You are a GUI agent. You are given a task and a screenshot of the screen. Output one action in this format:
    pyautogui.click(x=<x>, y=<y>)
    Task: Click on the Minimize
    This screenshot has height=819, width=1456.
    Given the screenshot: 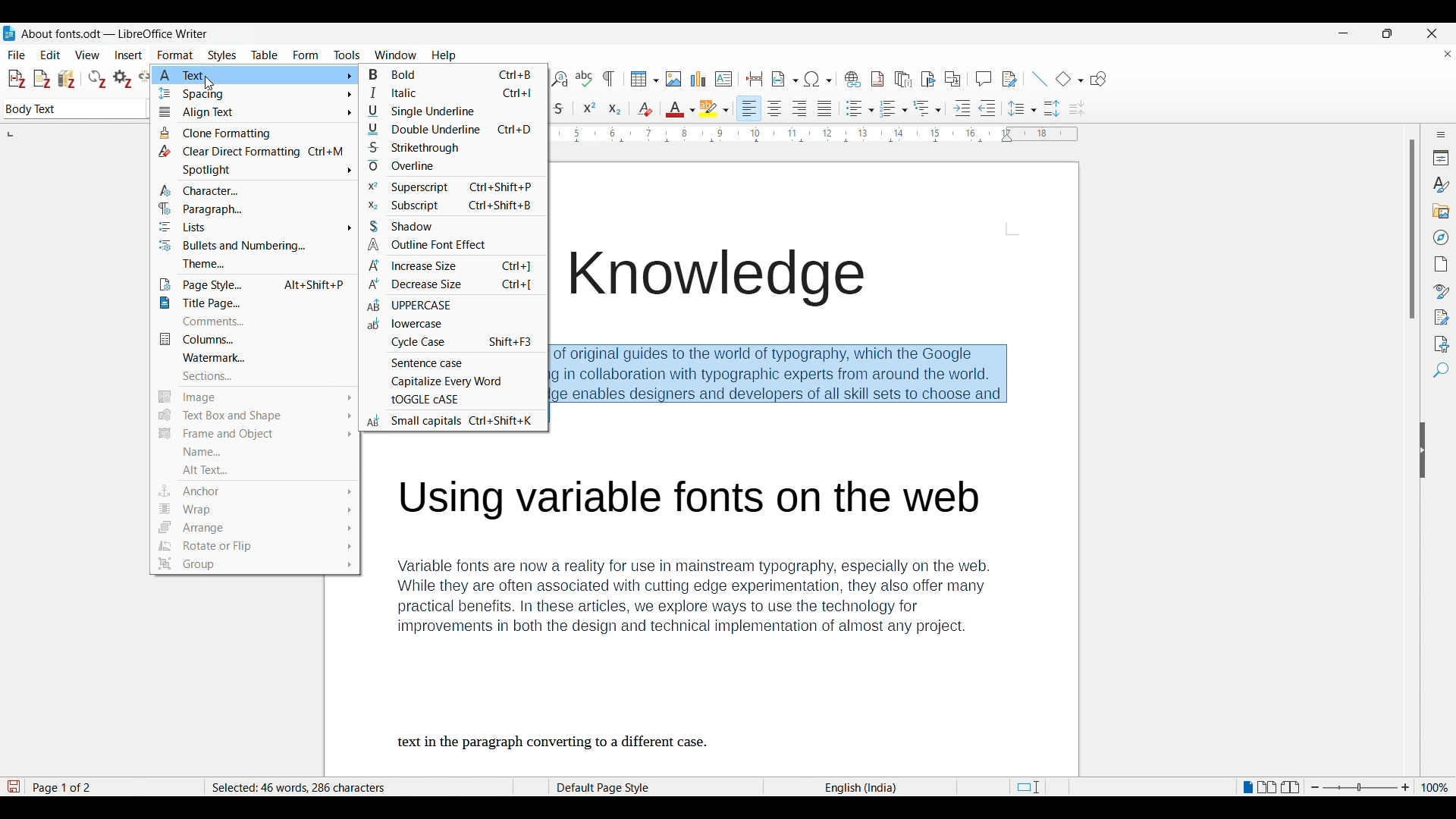 What is the action you would take?
    pyautogui.click(x=1344, y=33)
    